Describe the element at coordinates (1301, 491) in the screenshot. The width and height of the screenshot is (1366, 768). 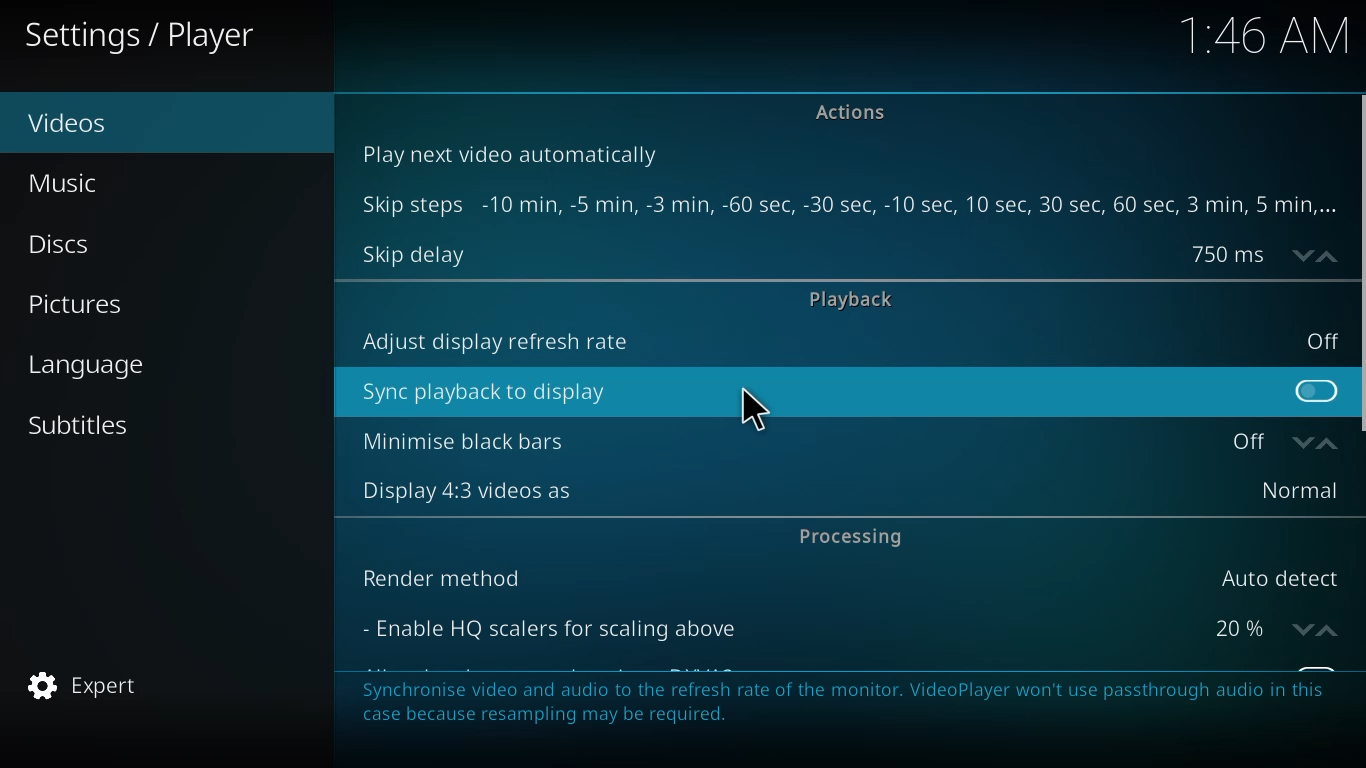
I see `normal` at that location.